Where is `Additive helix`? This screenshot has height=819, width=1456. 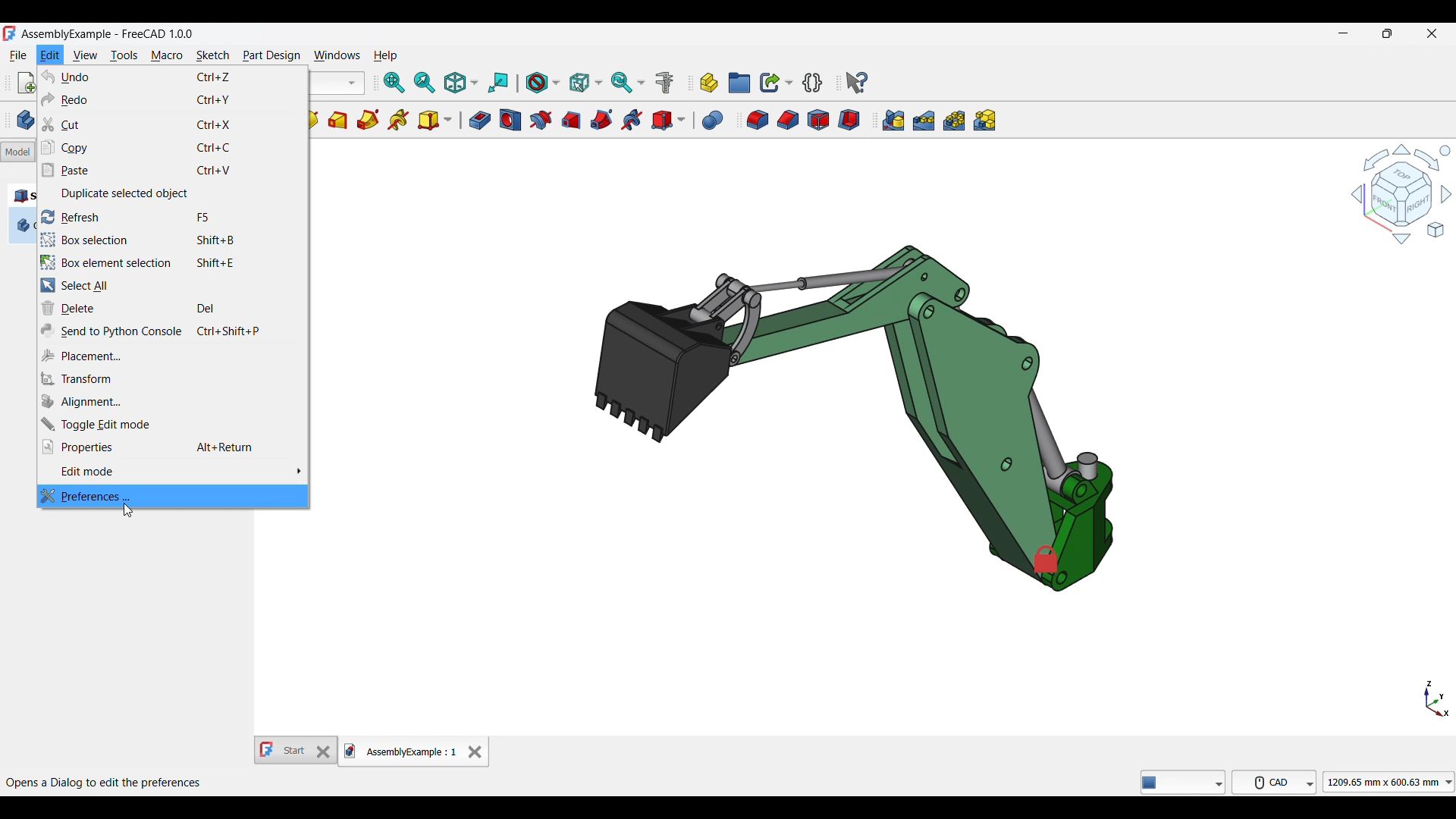
Additive helix is located at coordinates (398, 120).